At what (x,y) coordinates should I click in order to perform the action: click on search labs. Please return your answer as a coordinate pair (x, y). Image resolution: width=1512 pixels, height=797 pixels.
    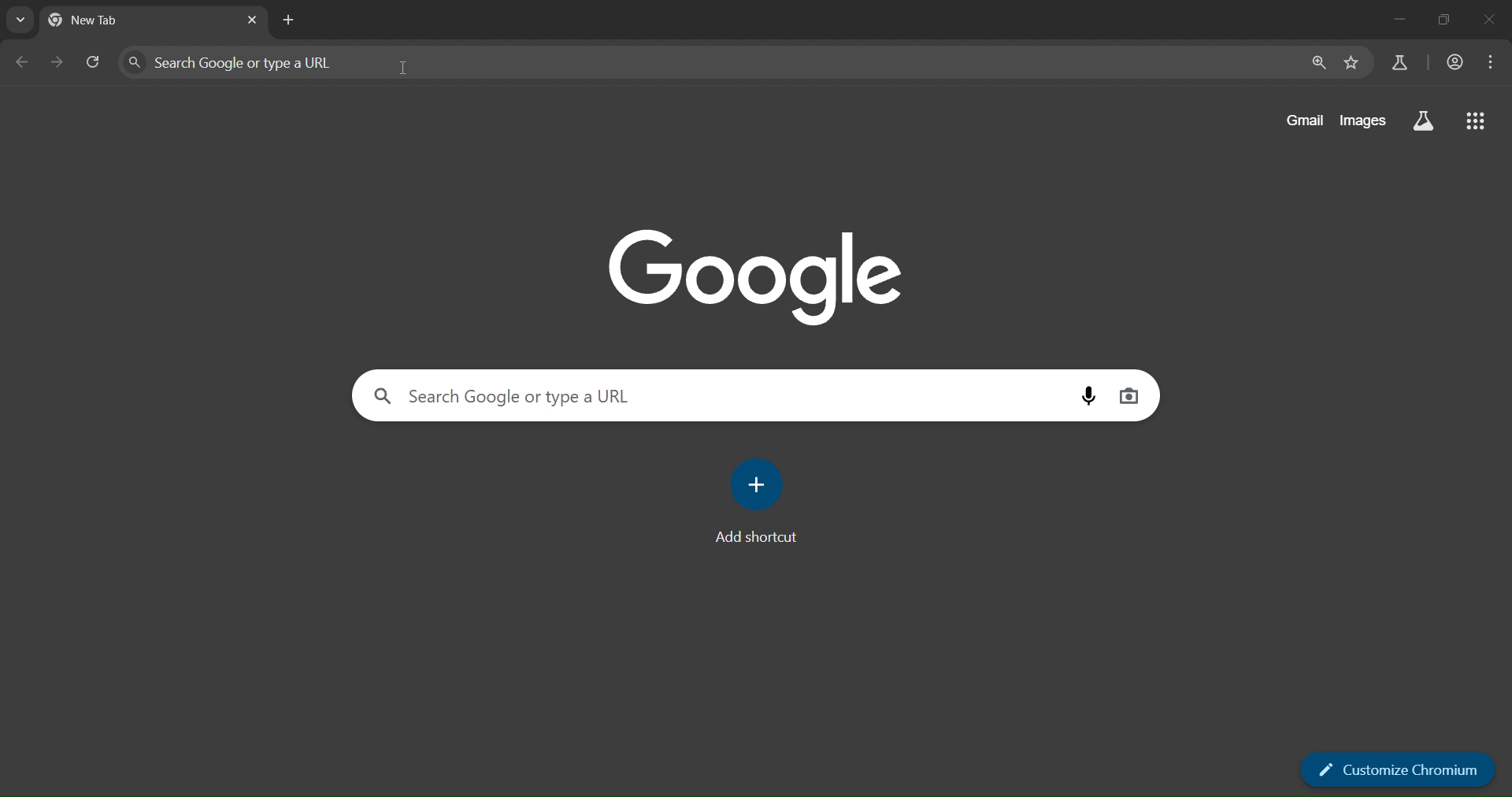
    Looking at the image, I should click on (1399, 64).